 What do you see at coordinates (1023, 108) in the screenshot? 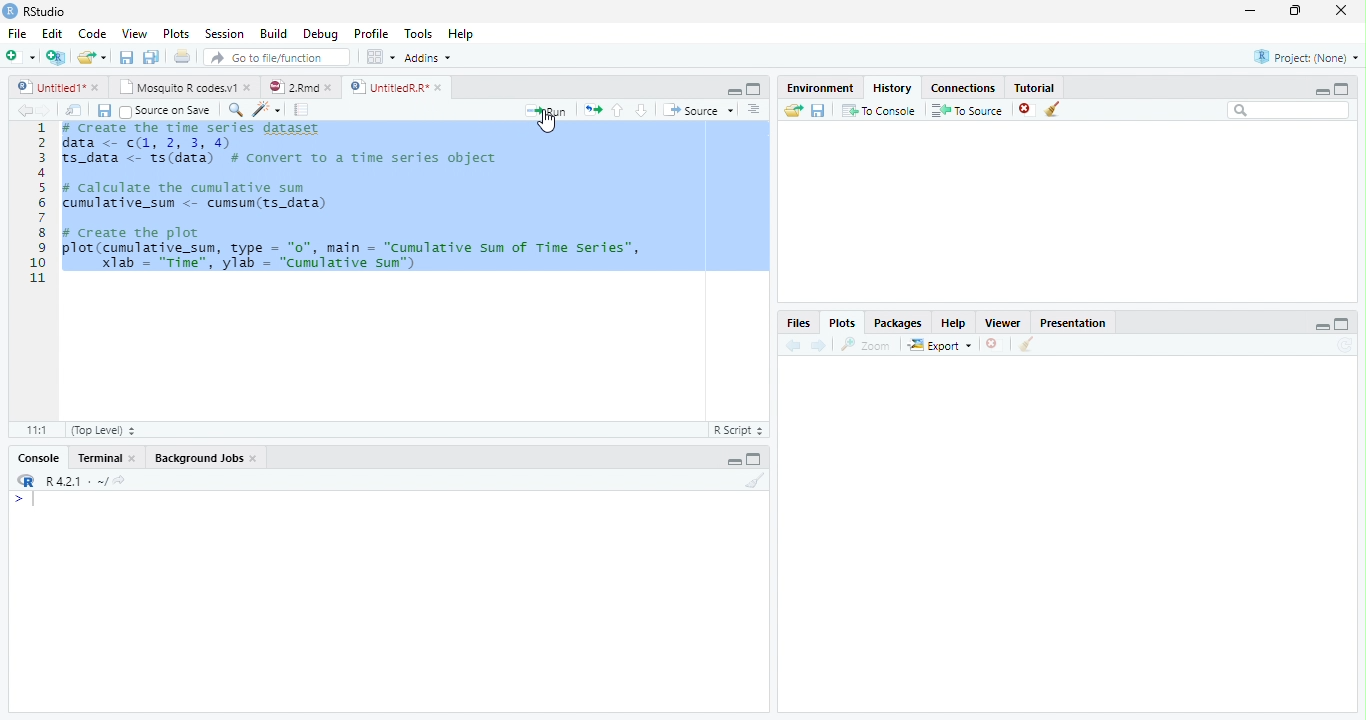
I see `Delete` at bounding box center [1023, 108].